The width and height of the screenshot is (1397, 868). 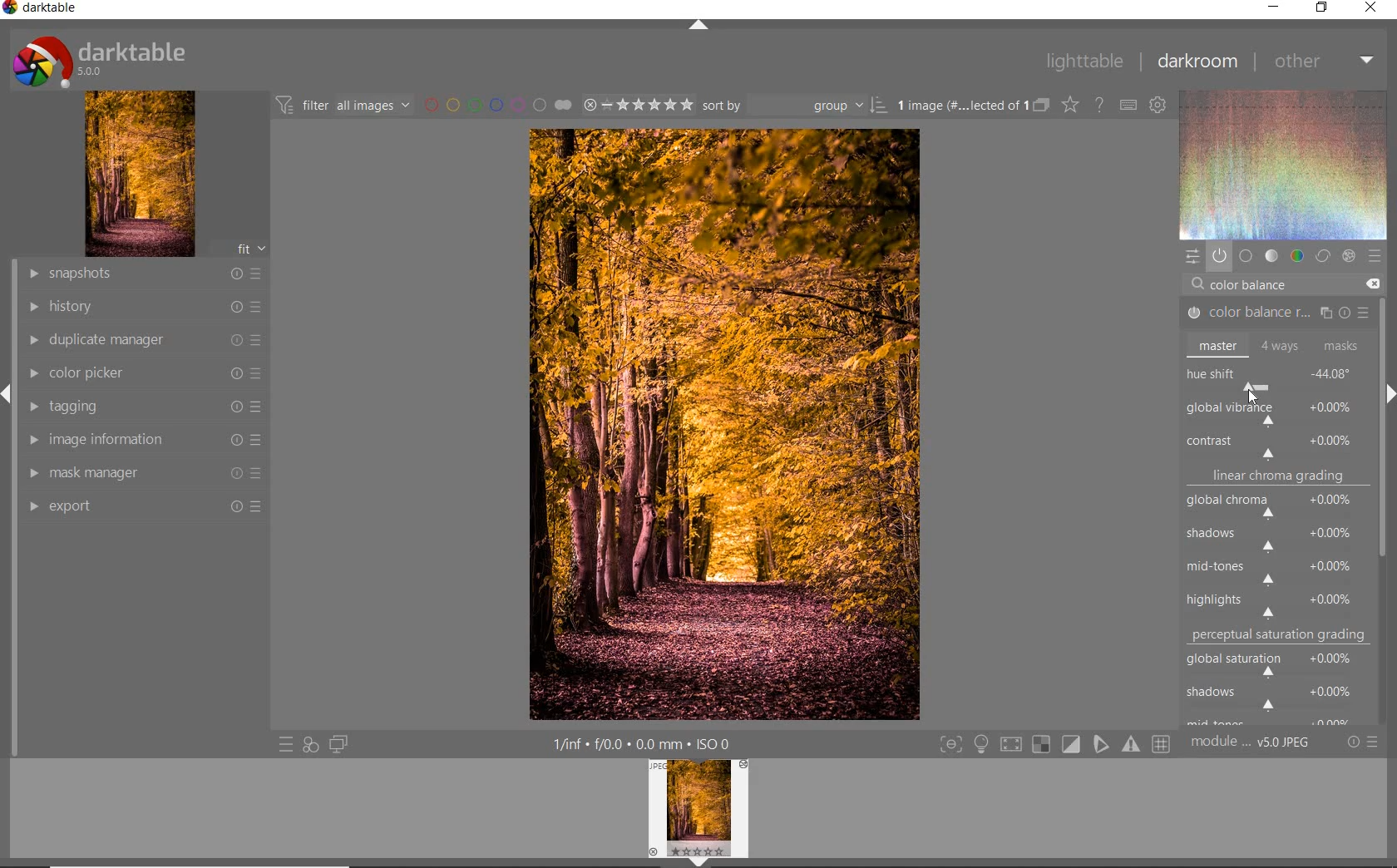 What do you see at coordinates (342, 106) in the screenshot?
I see `filter images` at bounding box center [342, 106].